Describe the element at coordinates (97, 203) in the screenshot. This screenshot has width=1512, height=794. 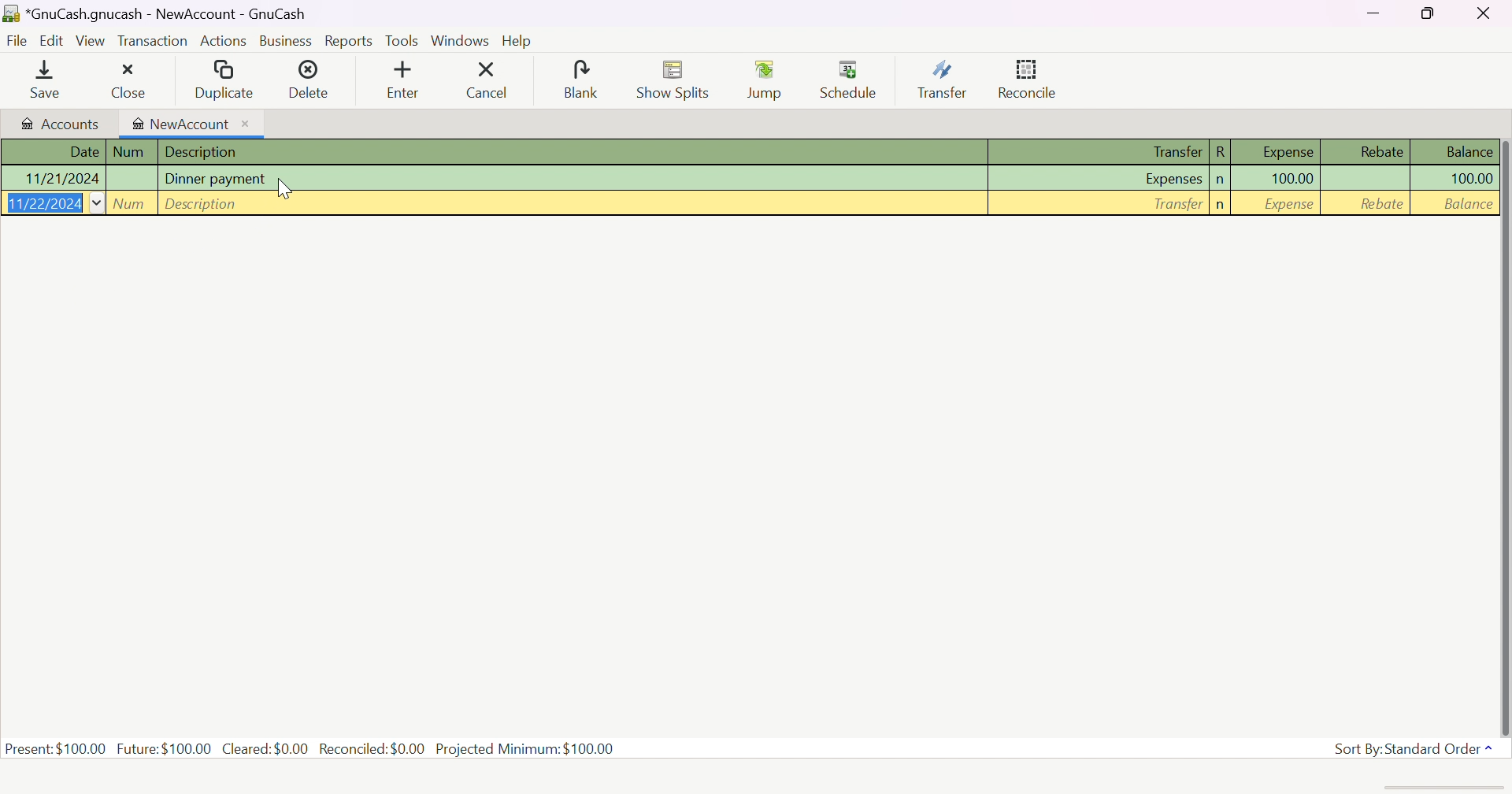
I see `Drop Down` at that location.